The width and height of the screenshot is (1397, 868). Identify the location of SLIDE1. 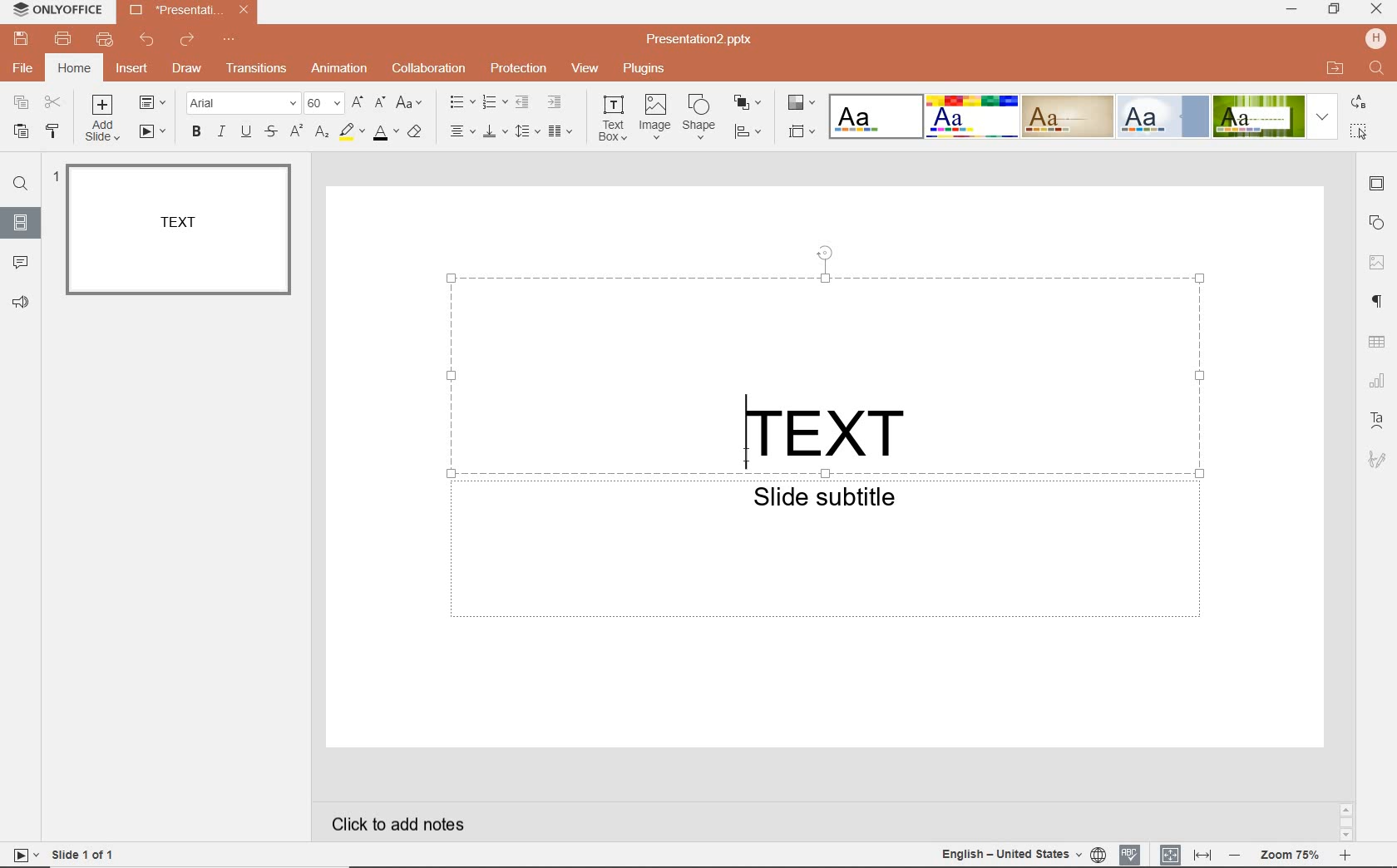
(178, 230).